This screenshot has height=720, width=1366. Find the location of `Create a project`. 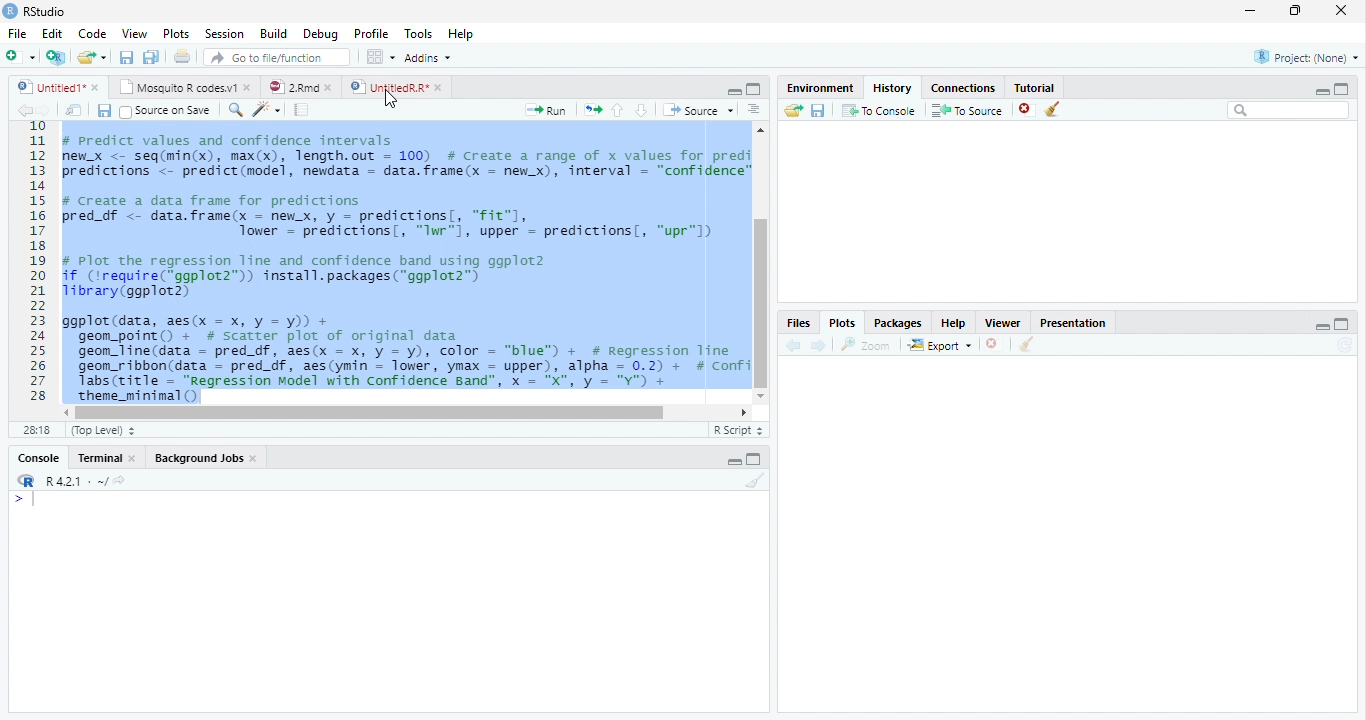

Create a project is located at coordinates (55, 57).